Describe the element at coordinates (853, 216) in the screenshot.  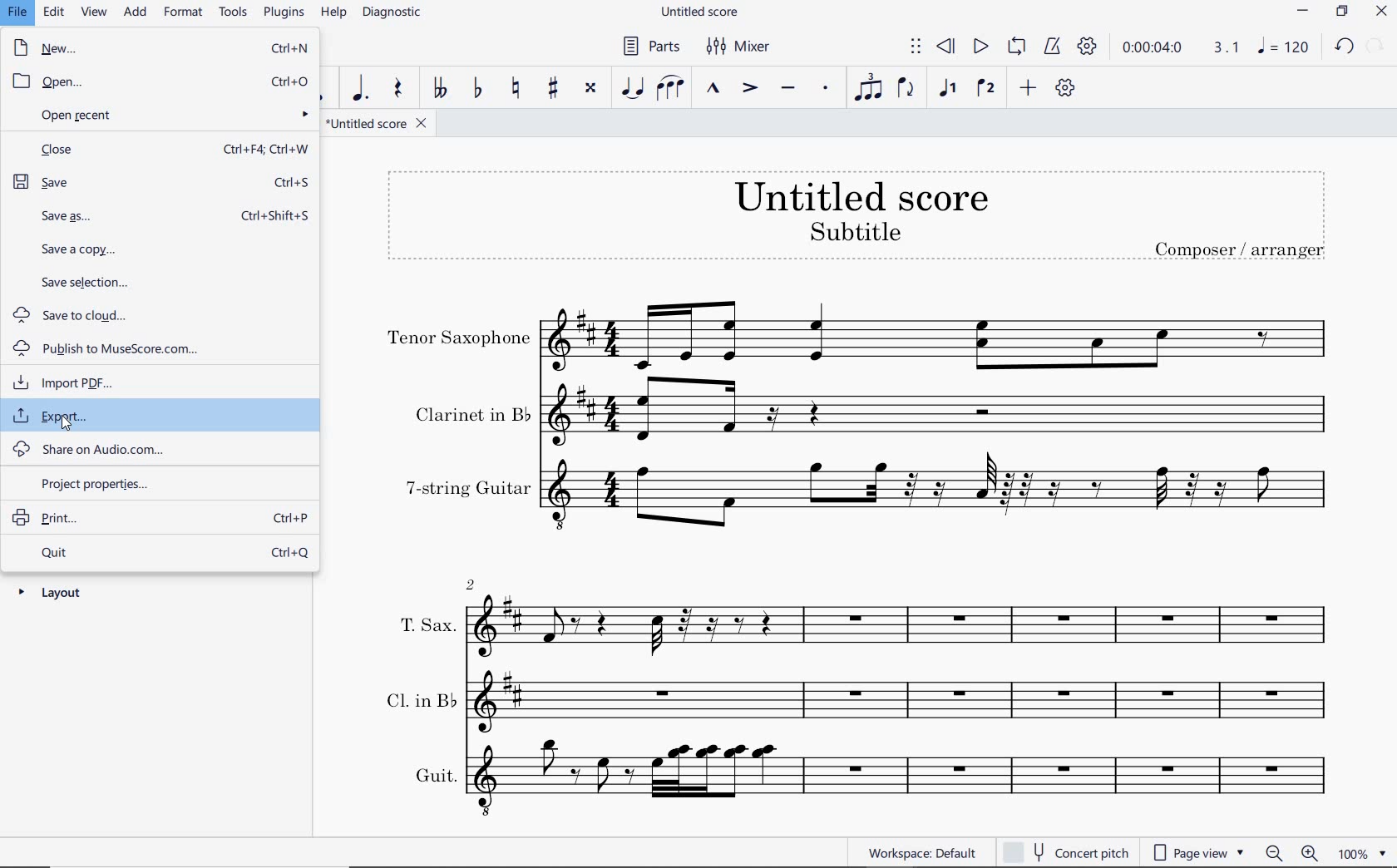
I see `TITLE` at that location.